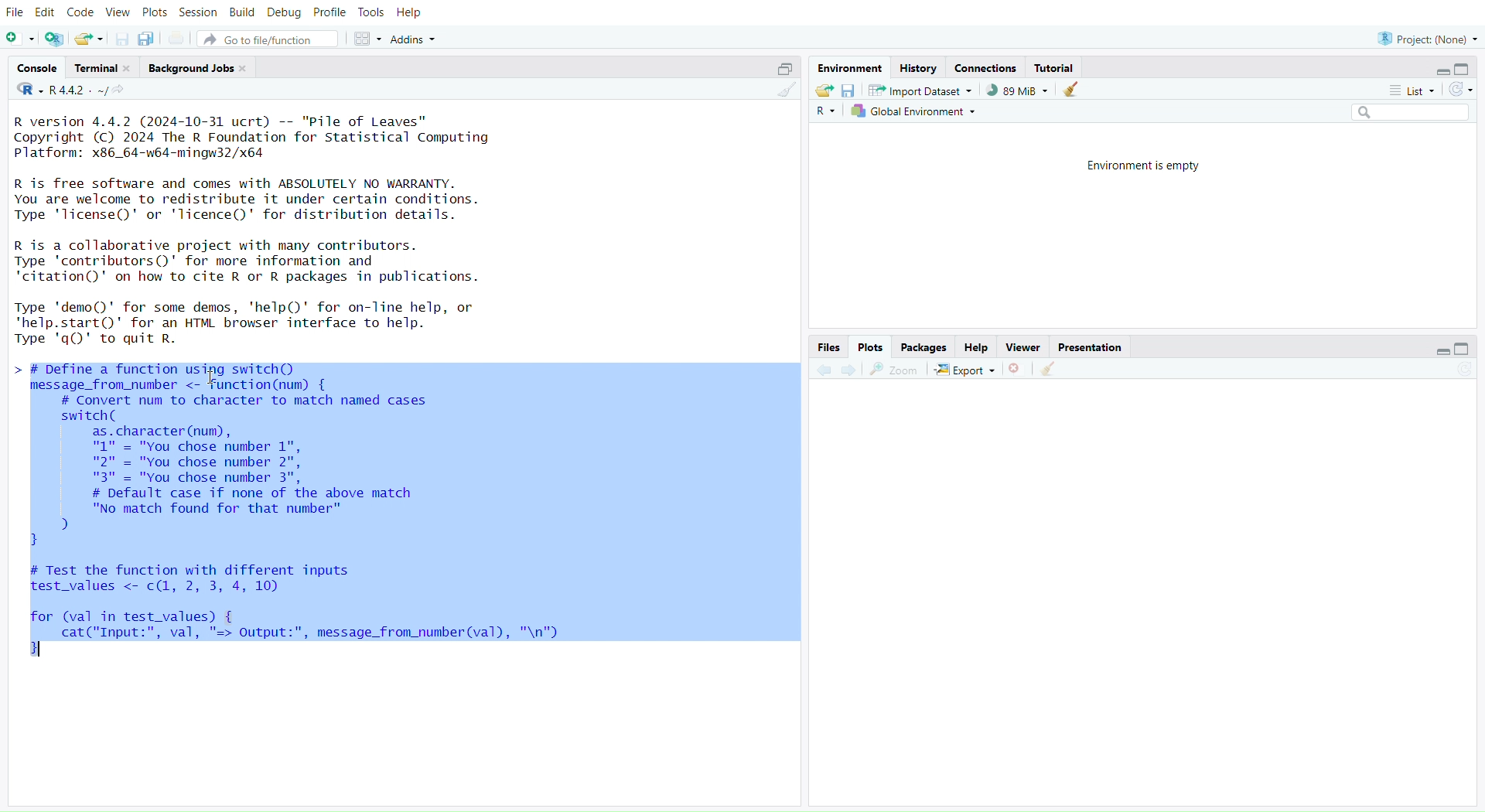 The width and height of the screenshot is (1485, 812). I want to click on R, so click(26, 90).